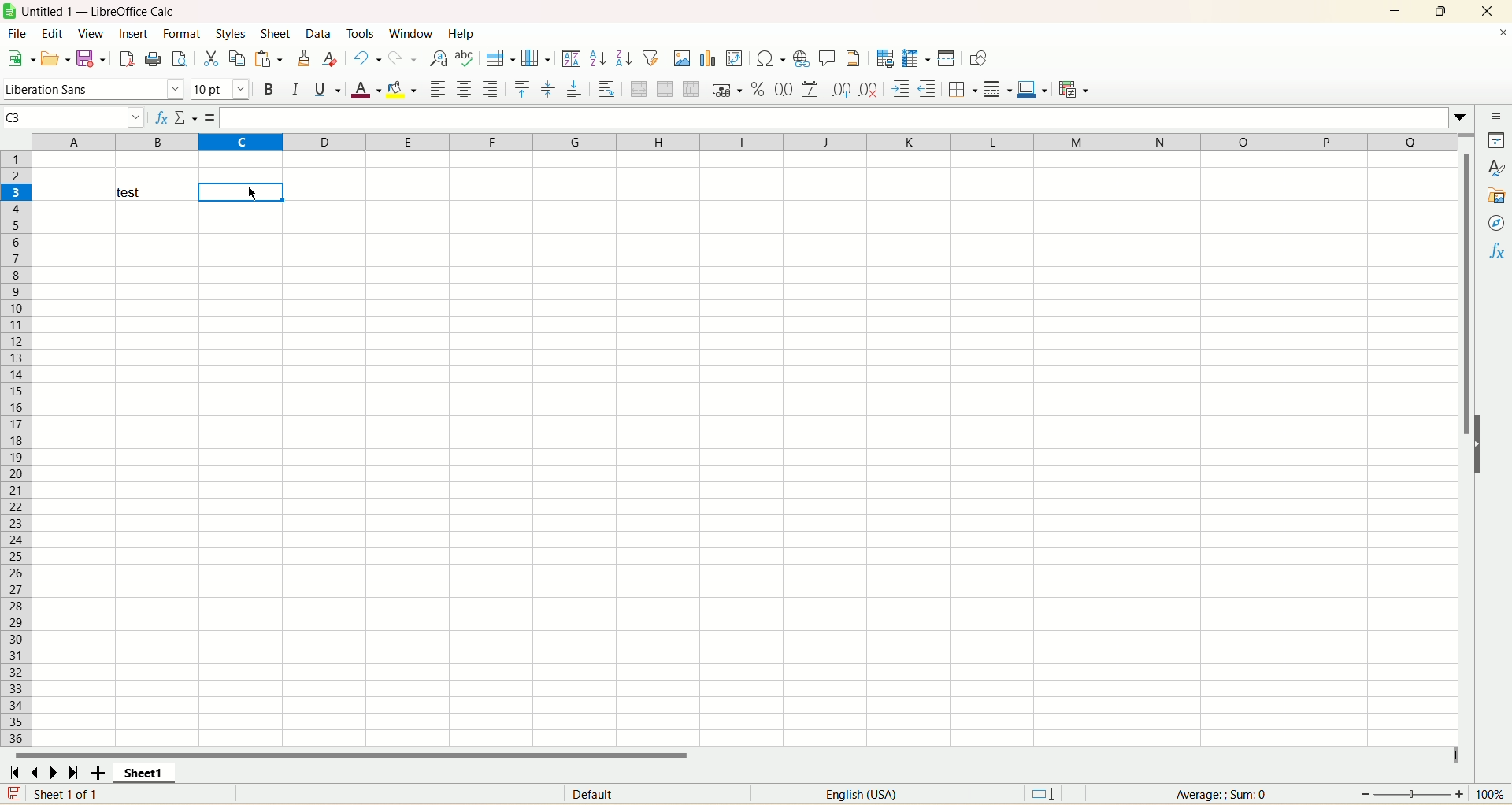 The height and width of the screenshot is (805, 1512). I want to click on align bottom, so click(575, 88).